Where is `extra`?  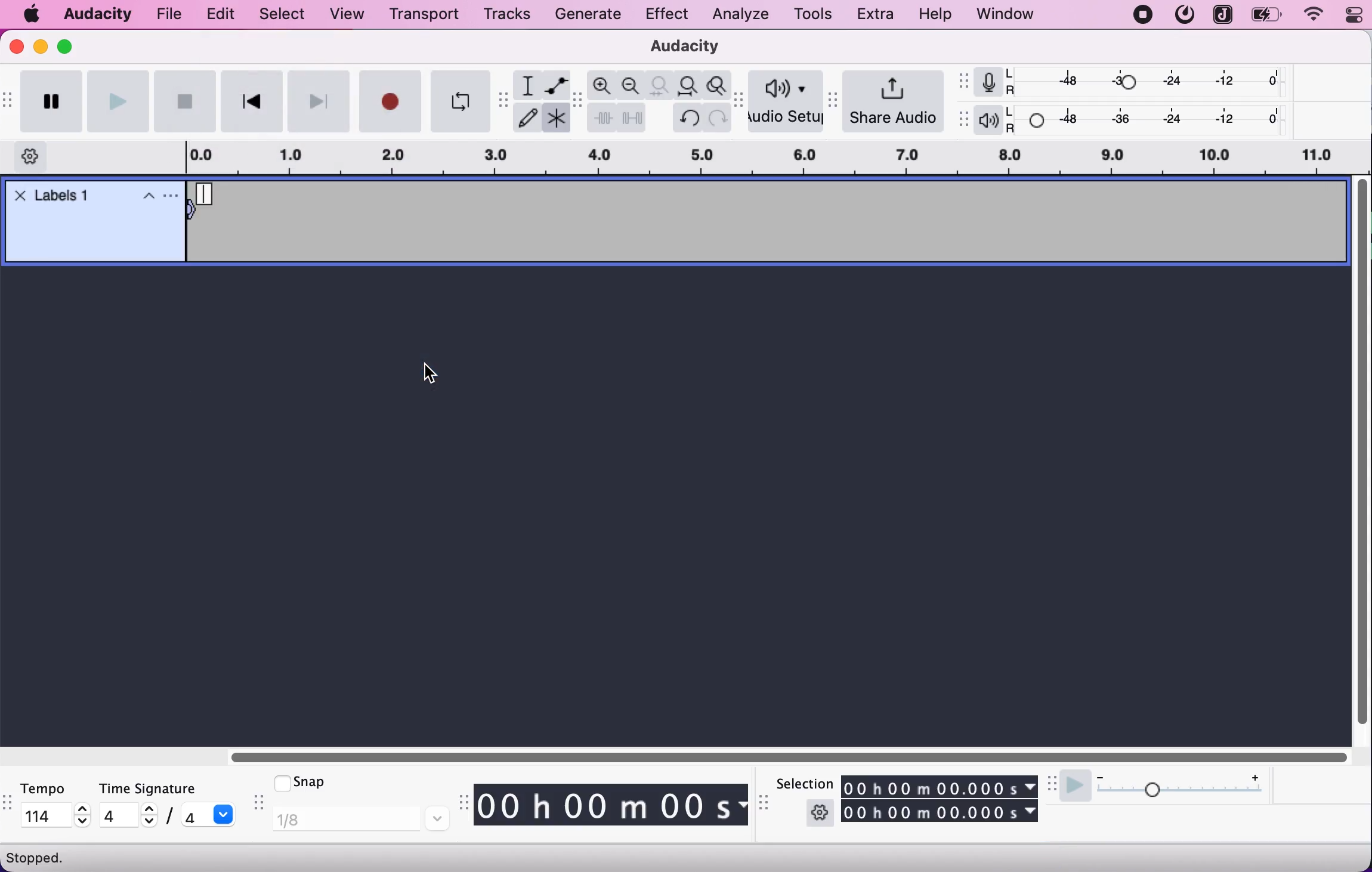 extra is located at coordinates (877, 15).